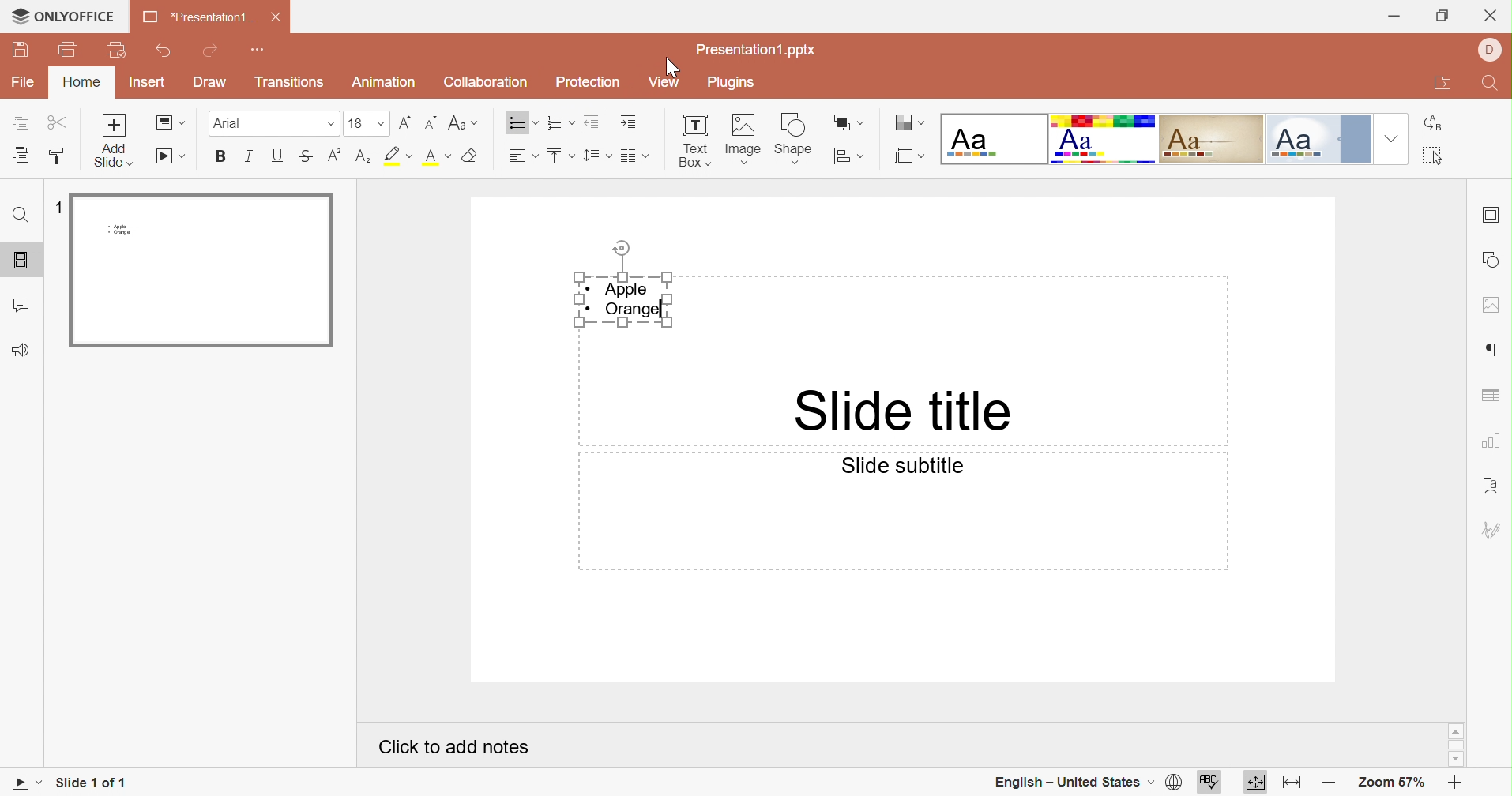 The image size is (1512, 796). Describe the element at coordinates (1493, 213) in the screenshot. I see `slide settings` at that location.